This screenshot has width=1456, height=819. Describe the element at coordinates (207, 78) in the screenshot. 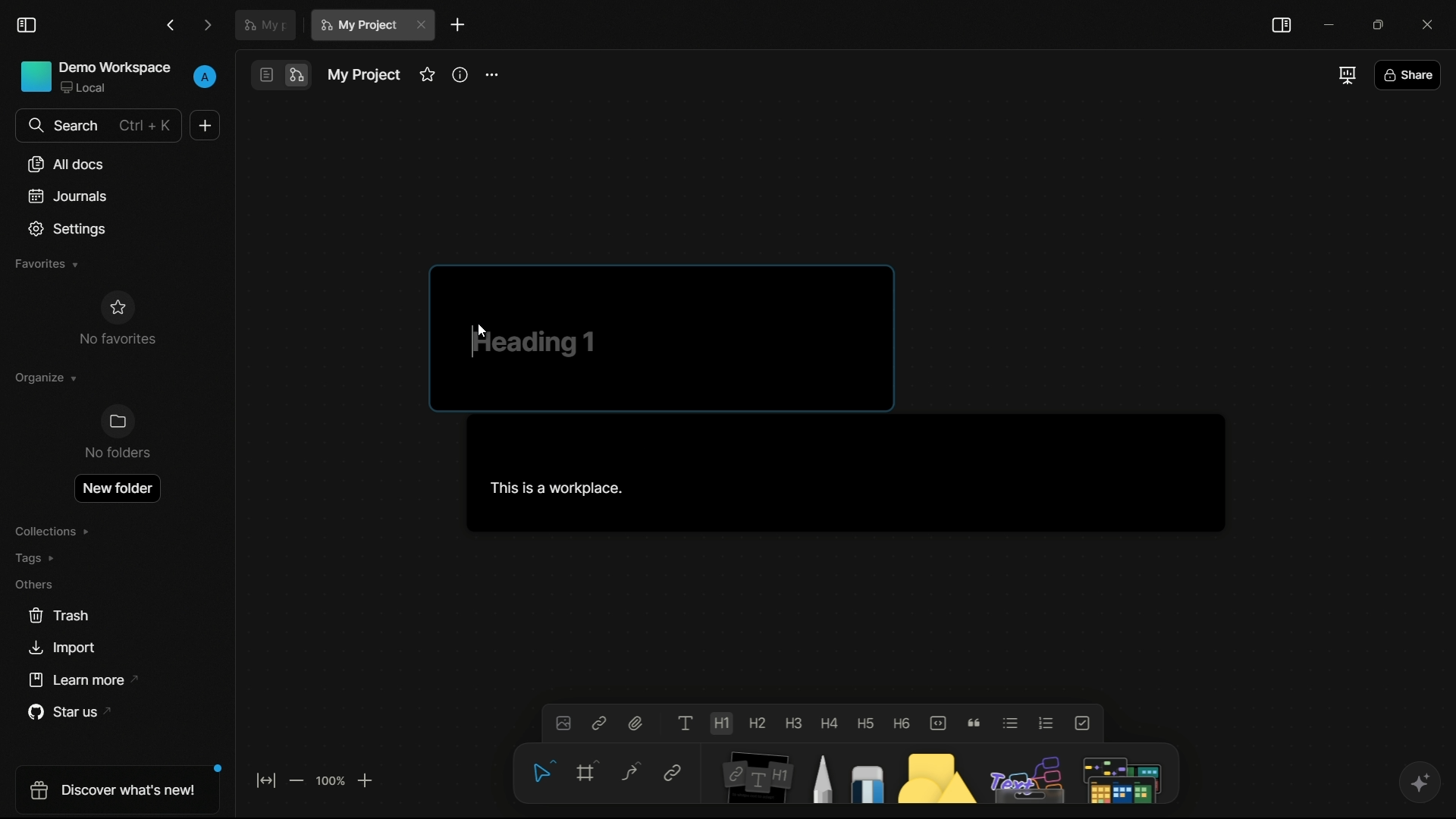

I see `profile` at that location.